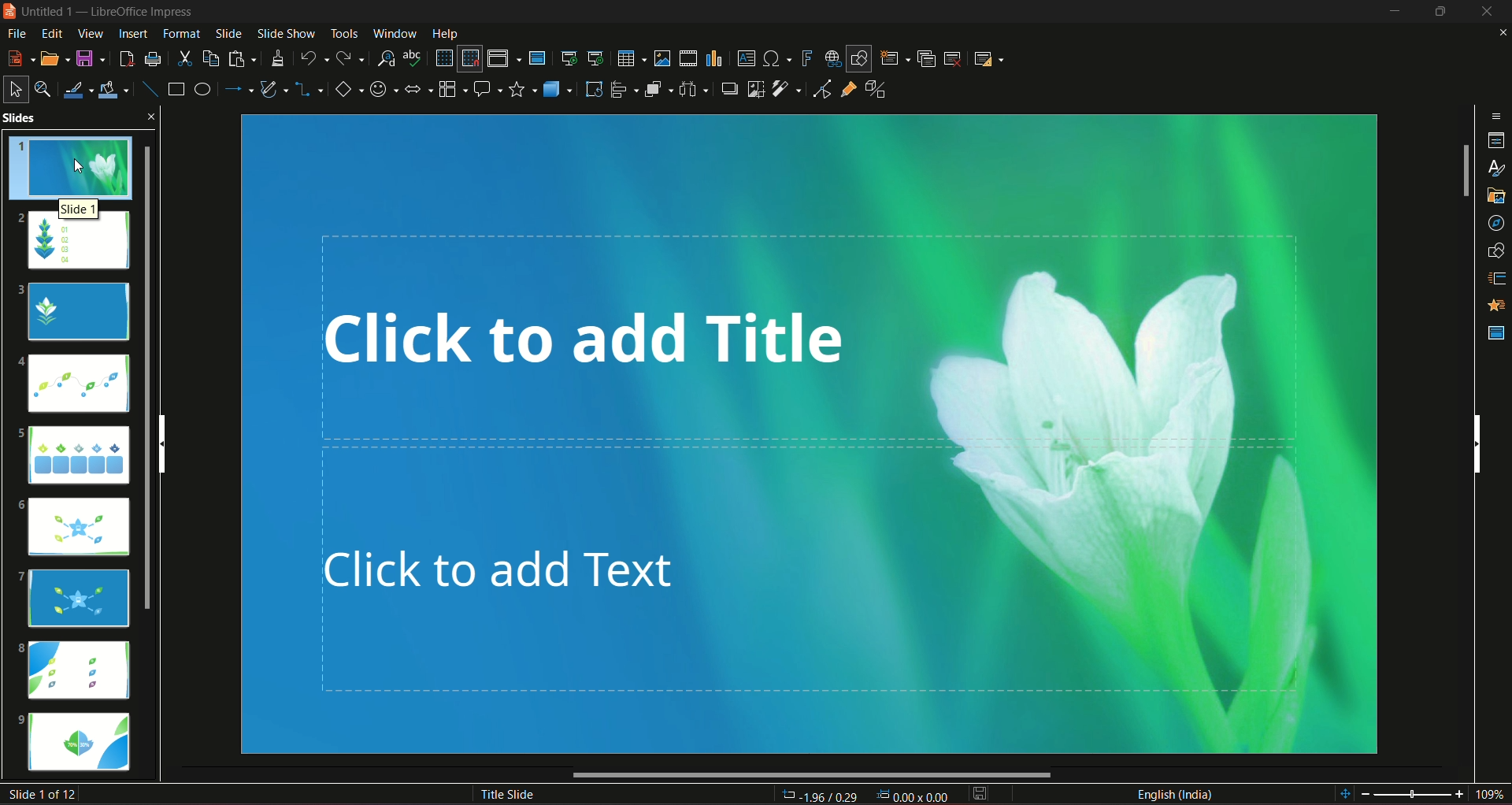 This screenshot has height=805, width=1512. Describe the element at coordinates (77, 312) in the screenshot. I see `slide 3` at that location.